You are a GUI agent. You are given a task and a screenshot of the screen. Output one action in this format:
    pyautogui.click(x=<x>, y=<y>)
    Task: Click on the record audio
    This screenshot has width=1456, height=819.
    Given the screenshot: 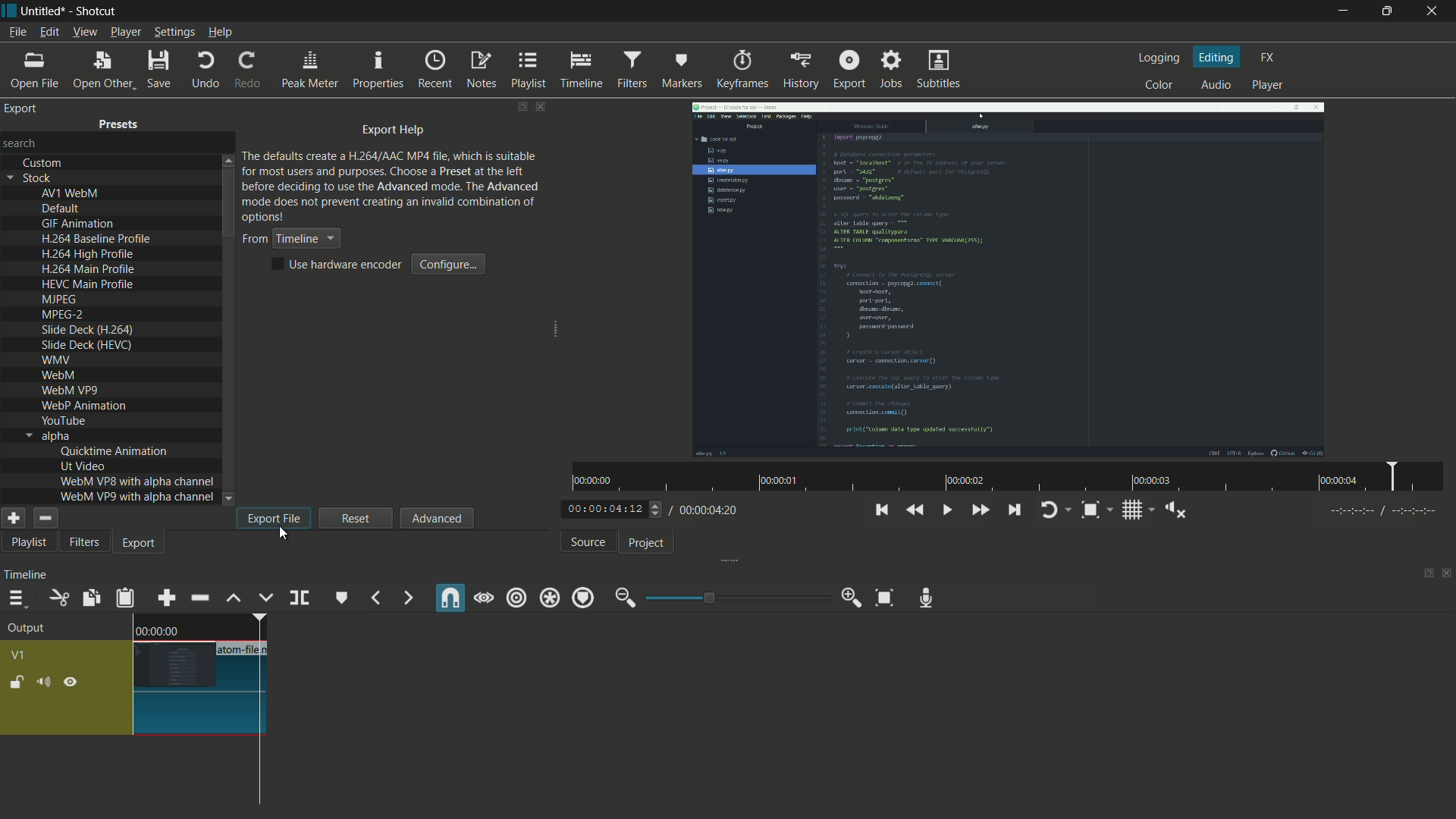 What is the action you would take?
    pyautogui.click(x=927, y=598)
    